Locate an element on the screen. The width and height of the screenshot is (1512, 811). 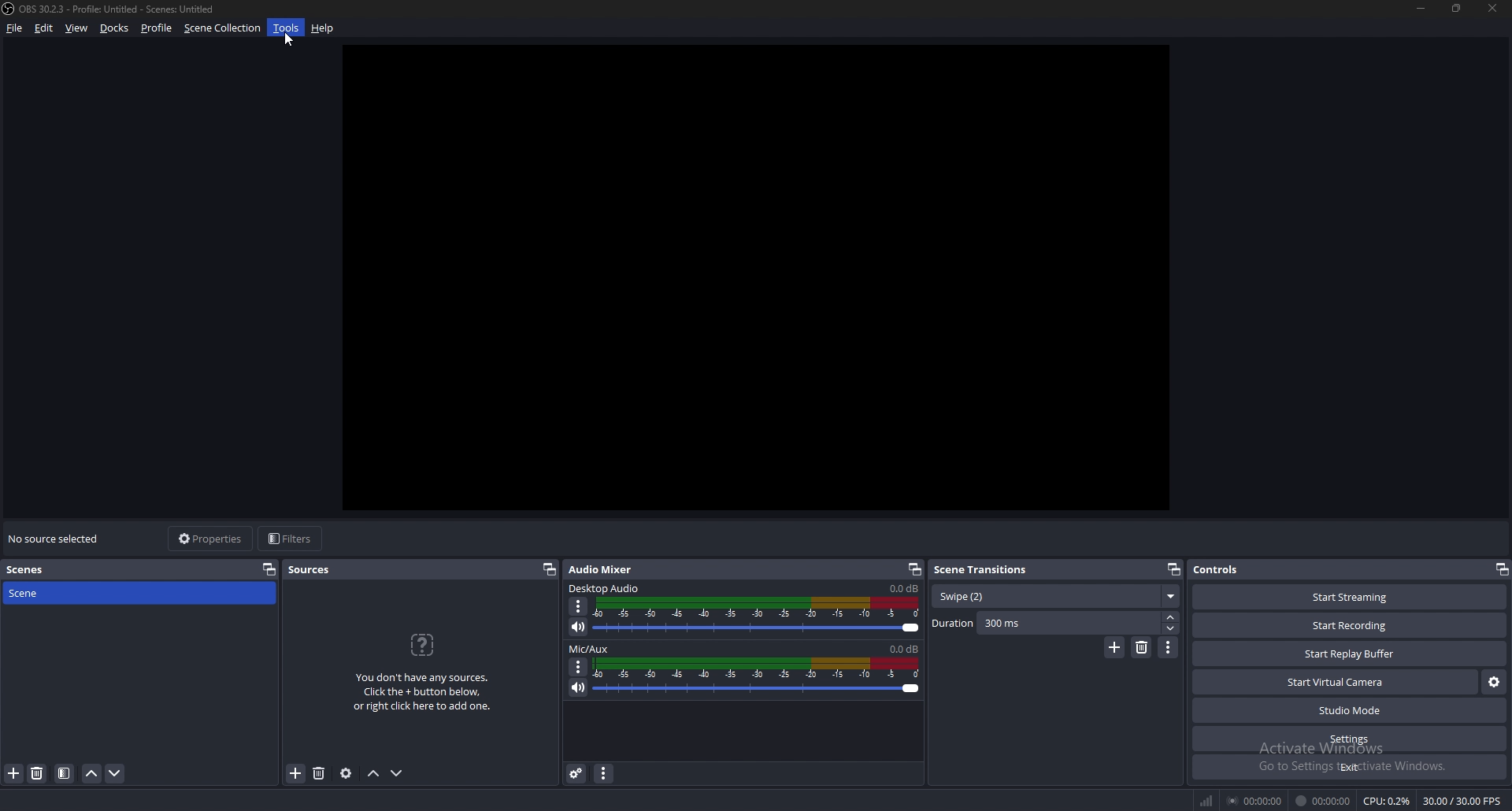
source properties is located at coordinates (346, 772).